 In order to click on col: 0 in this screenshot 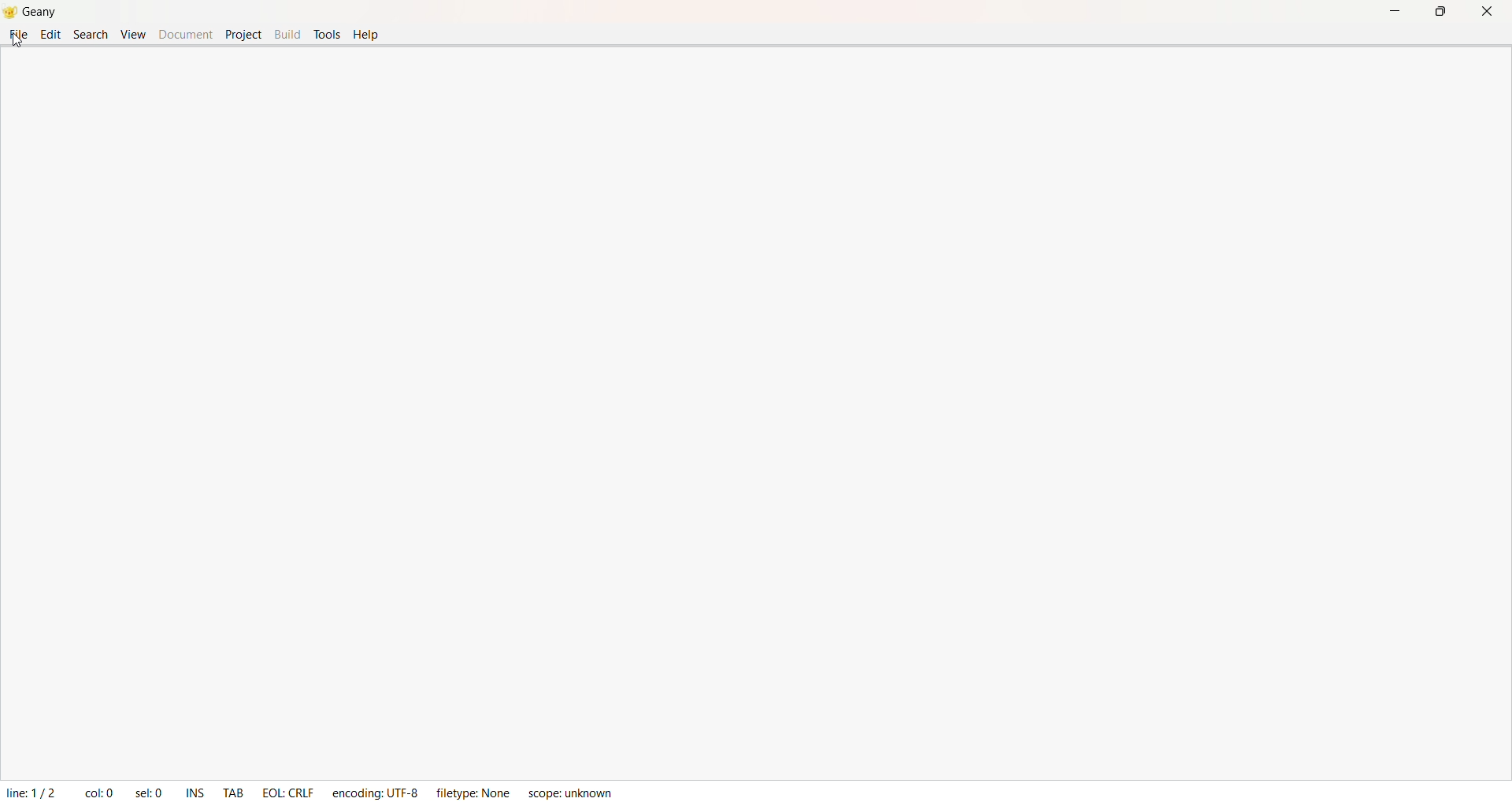, I will do `click(94, 793)`.